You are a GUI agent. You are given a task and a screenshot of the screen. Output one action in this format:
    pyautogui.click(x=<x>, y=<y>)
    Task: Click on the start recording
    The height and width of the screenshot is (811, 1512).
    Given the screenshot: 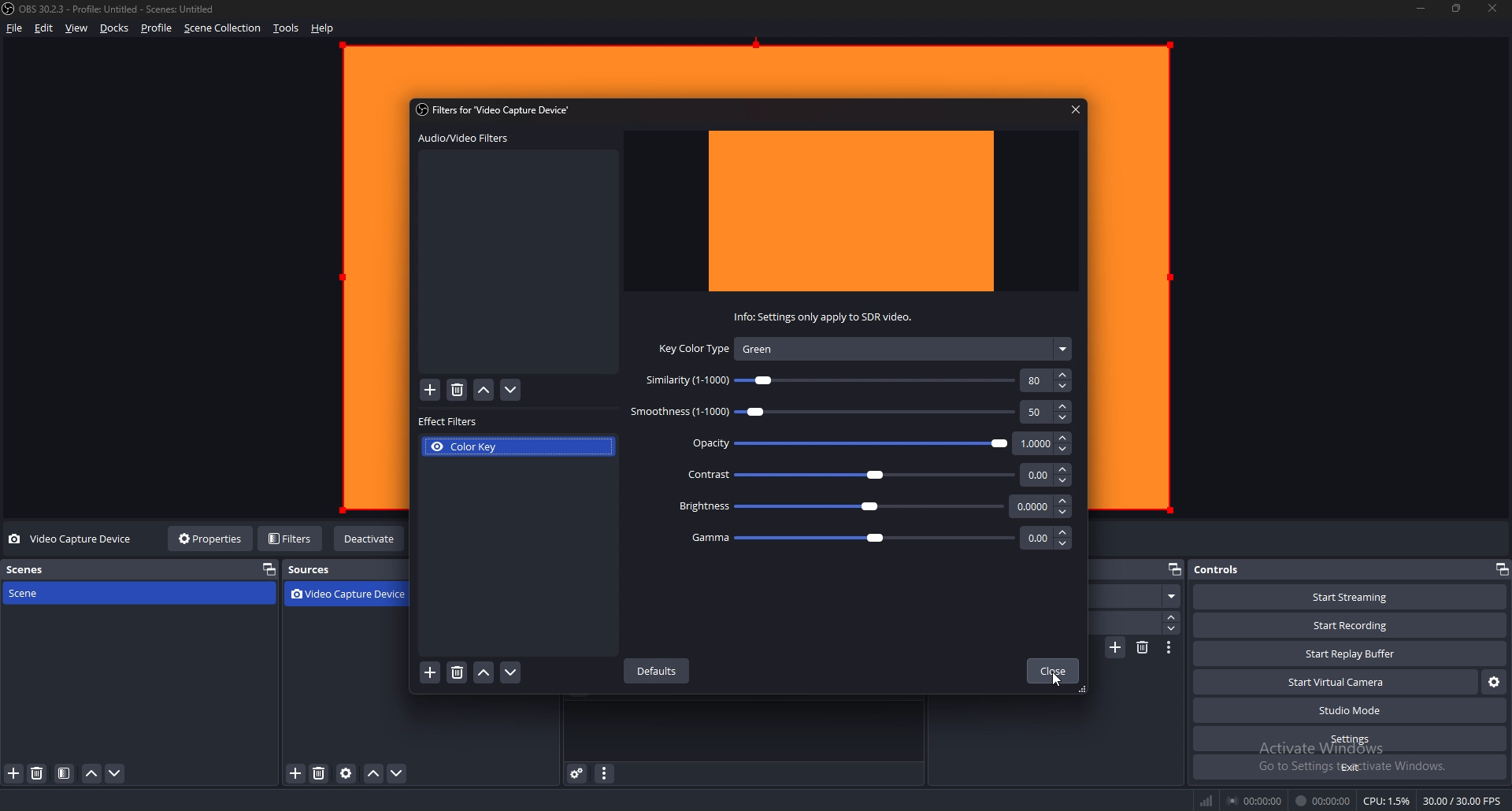 What is the action you would take?
    pyautogui.click(x=1351, y=626)
    